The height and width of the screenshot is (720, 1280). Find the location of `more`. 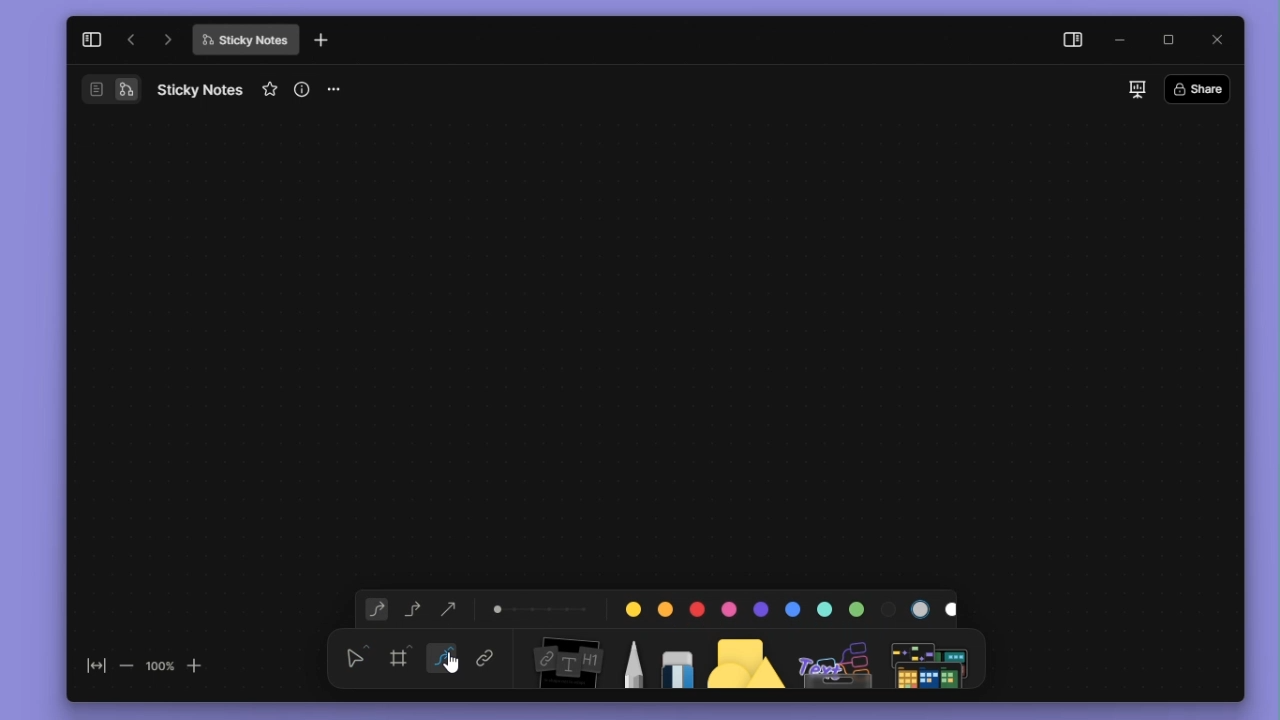

more is located at coordinates (341, 90).